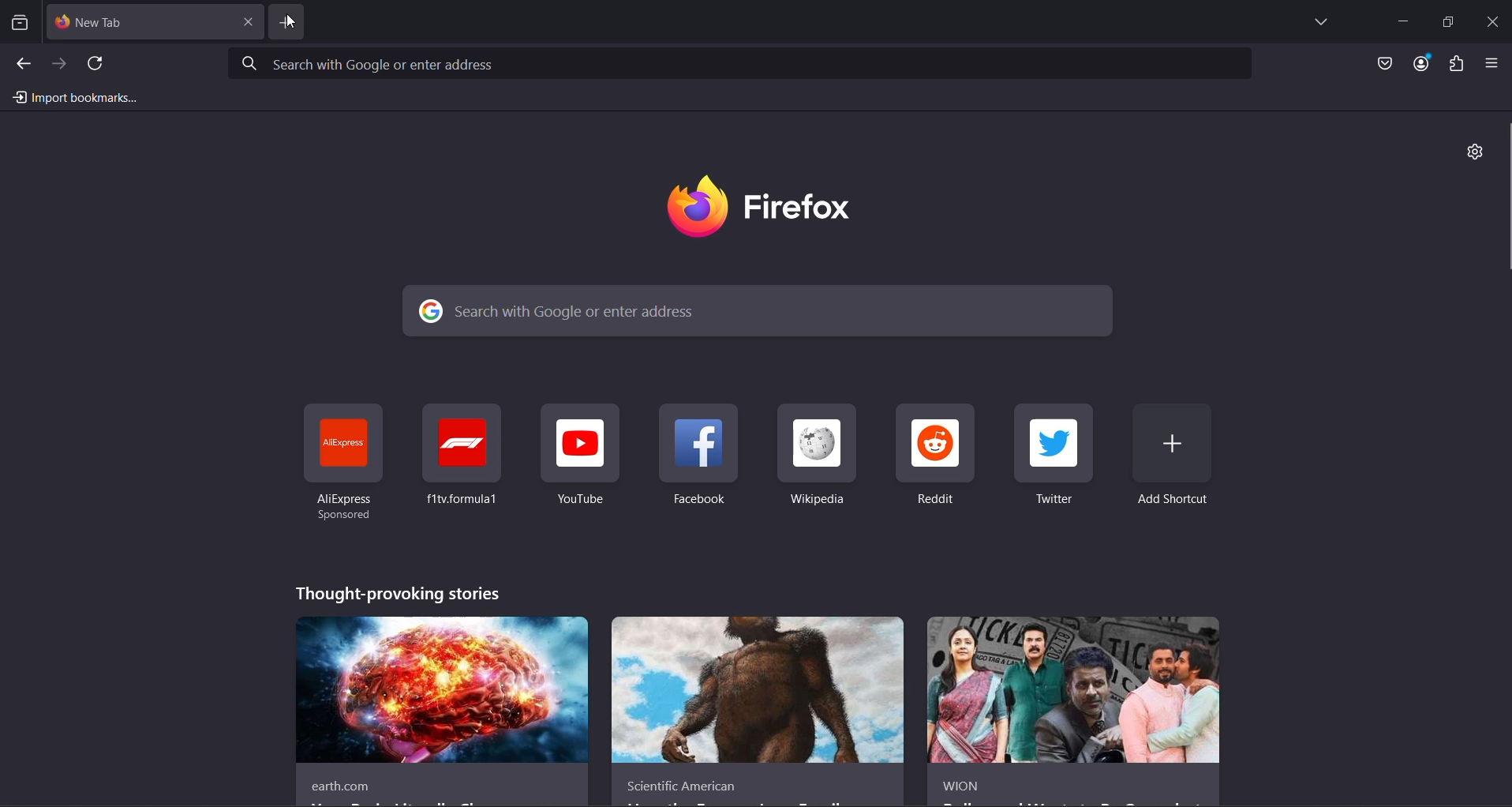 The width and height of the screenshot is (1512, 807). Describe the element at coordinates (758, 310) in the screenshot. I see `search bar` at that location.